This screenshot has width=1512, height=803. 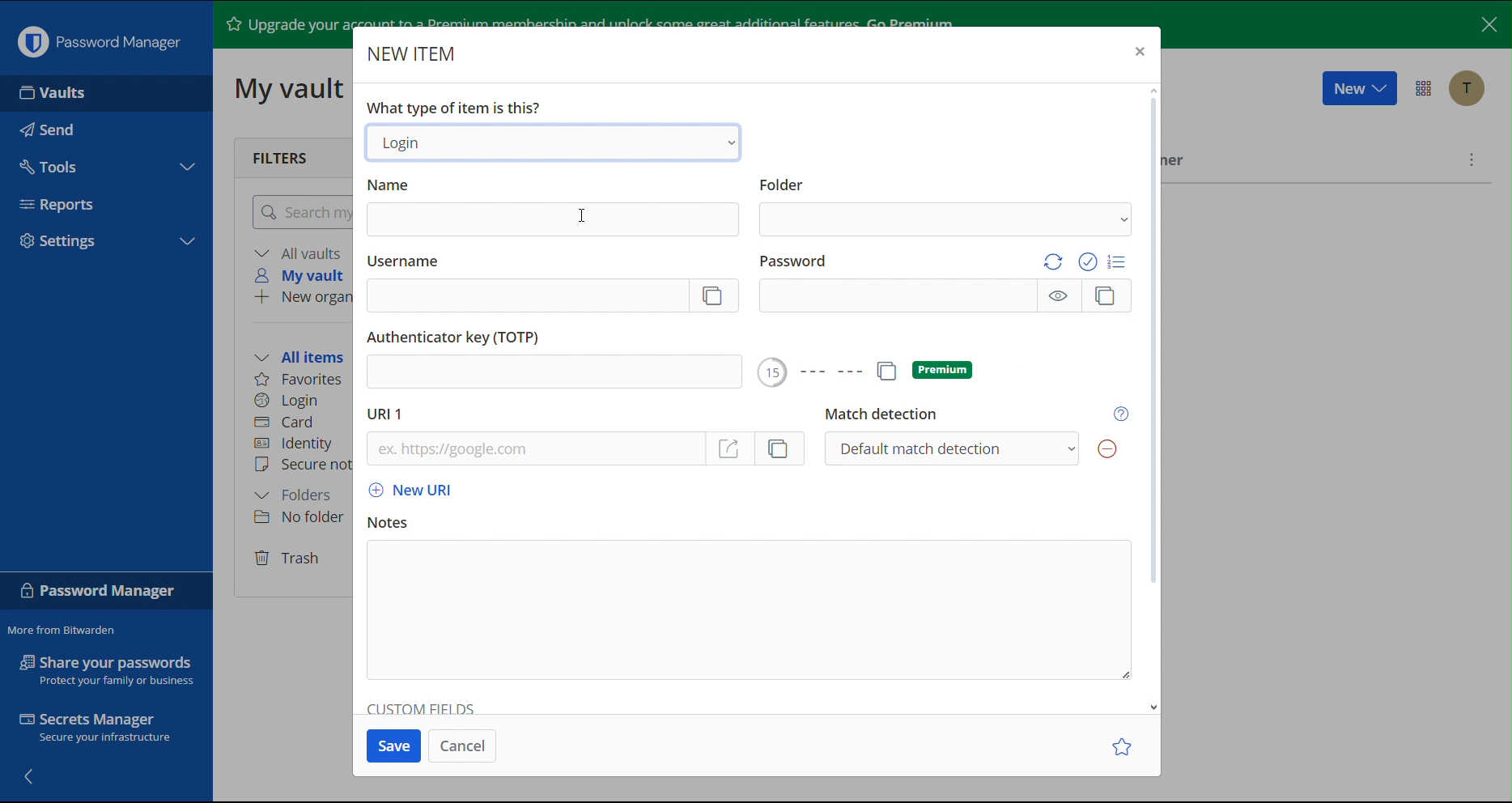 What do you see at coordinates (549, 284) in the screenshot?
I see `Username` at bounding box center [549, 284].